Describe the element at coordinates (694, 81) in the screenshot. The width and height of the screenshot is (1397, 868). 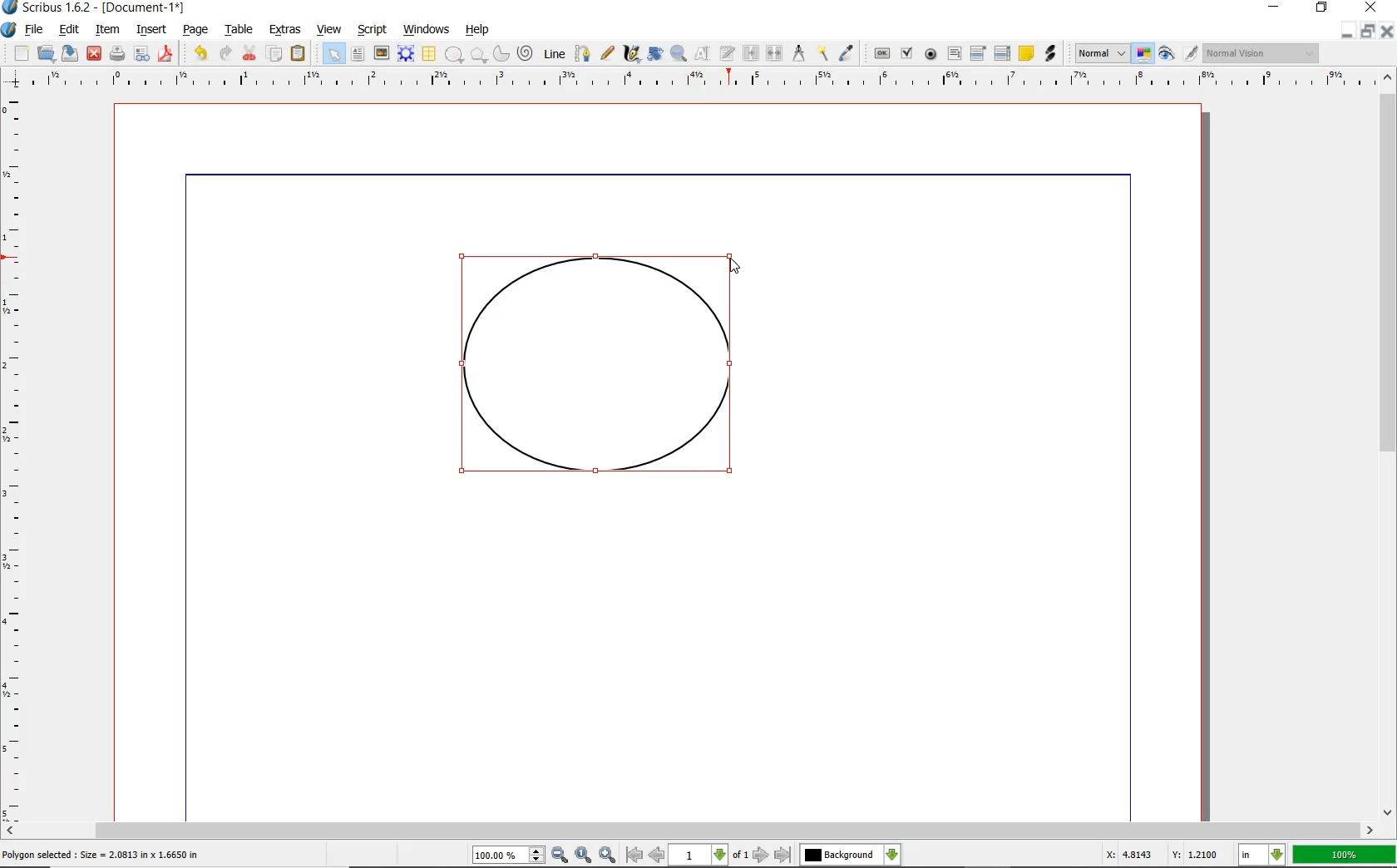
I see `RULER` at that location.